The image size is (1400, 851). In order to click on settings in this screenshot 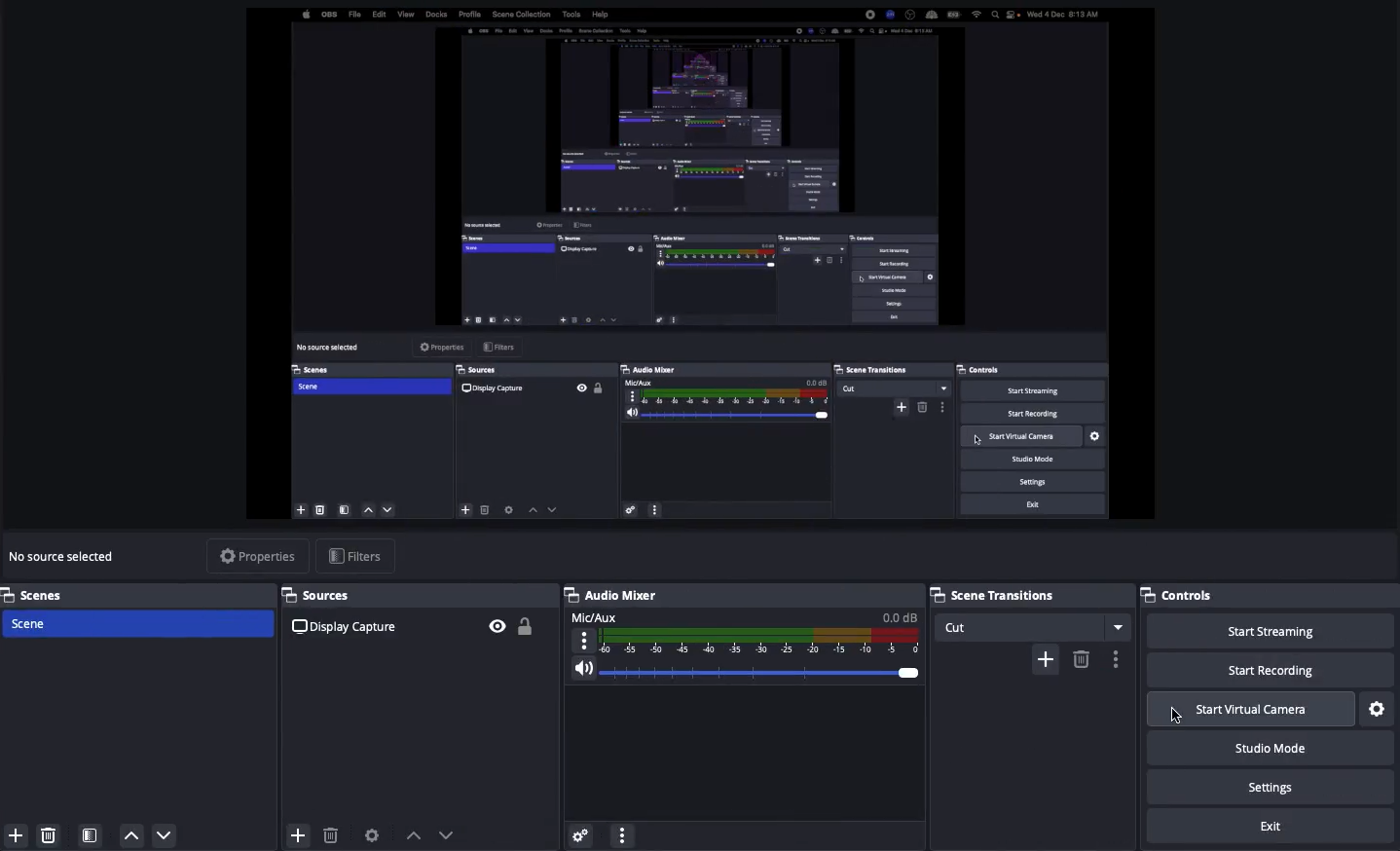, I will do `click(573, 831)`.